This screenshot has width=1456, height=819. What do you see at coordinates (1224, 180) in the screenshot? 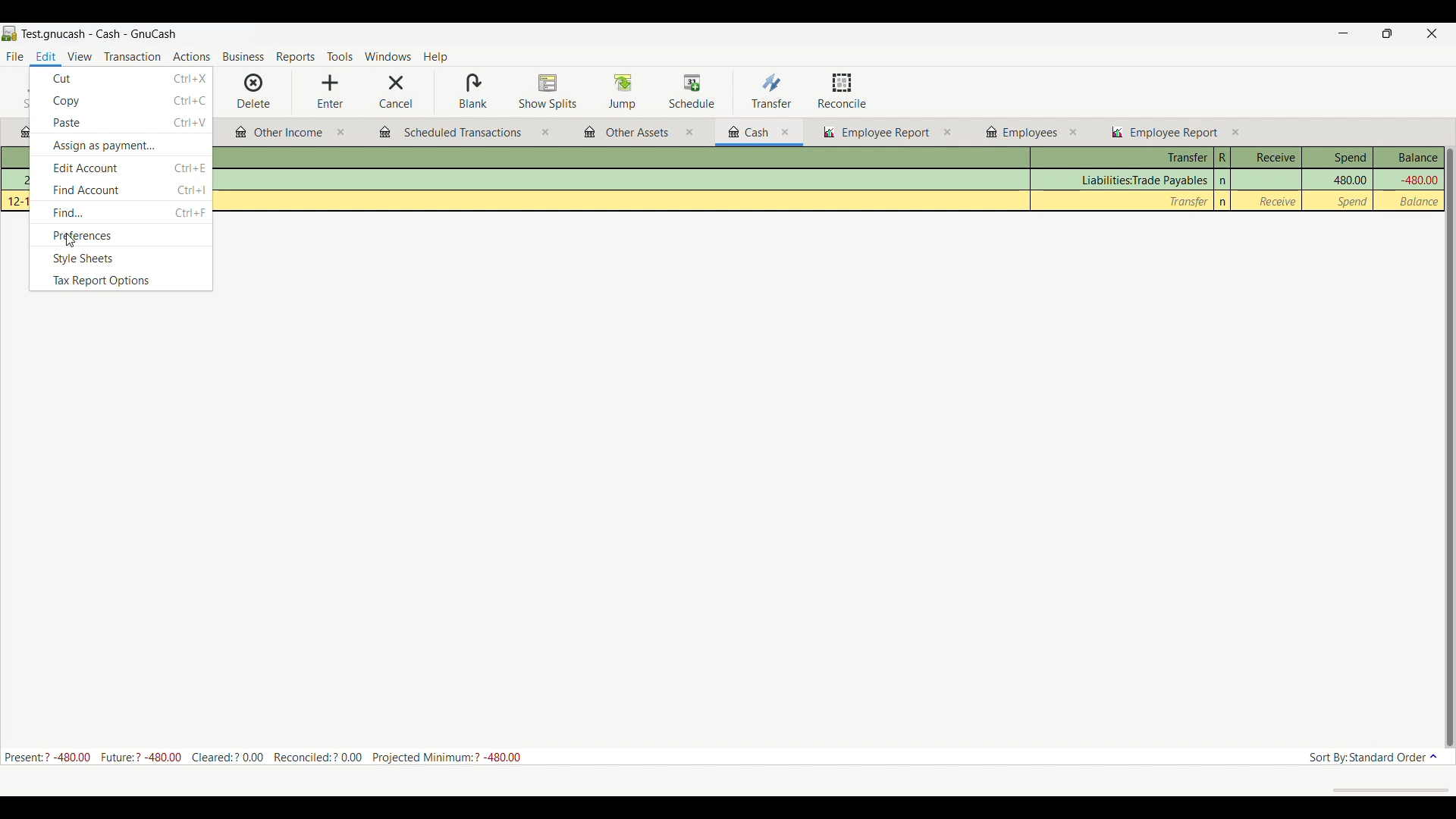
I see `n` at bounding box center [1224, 180].